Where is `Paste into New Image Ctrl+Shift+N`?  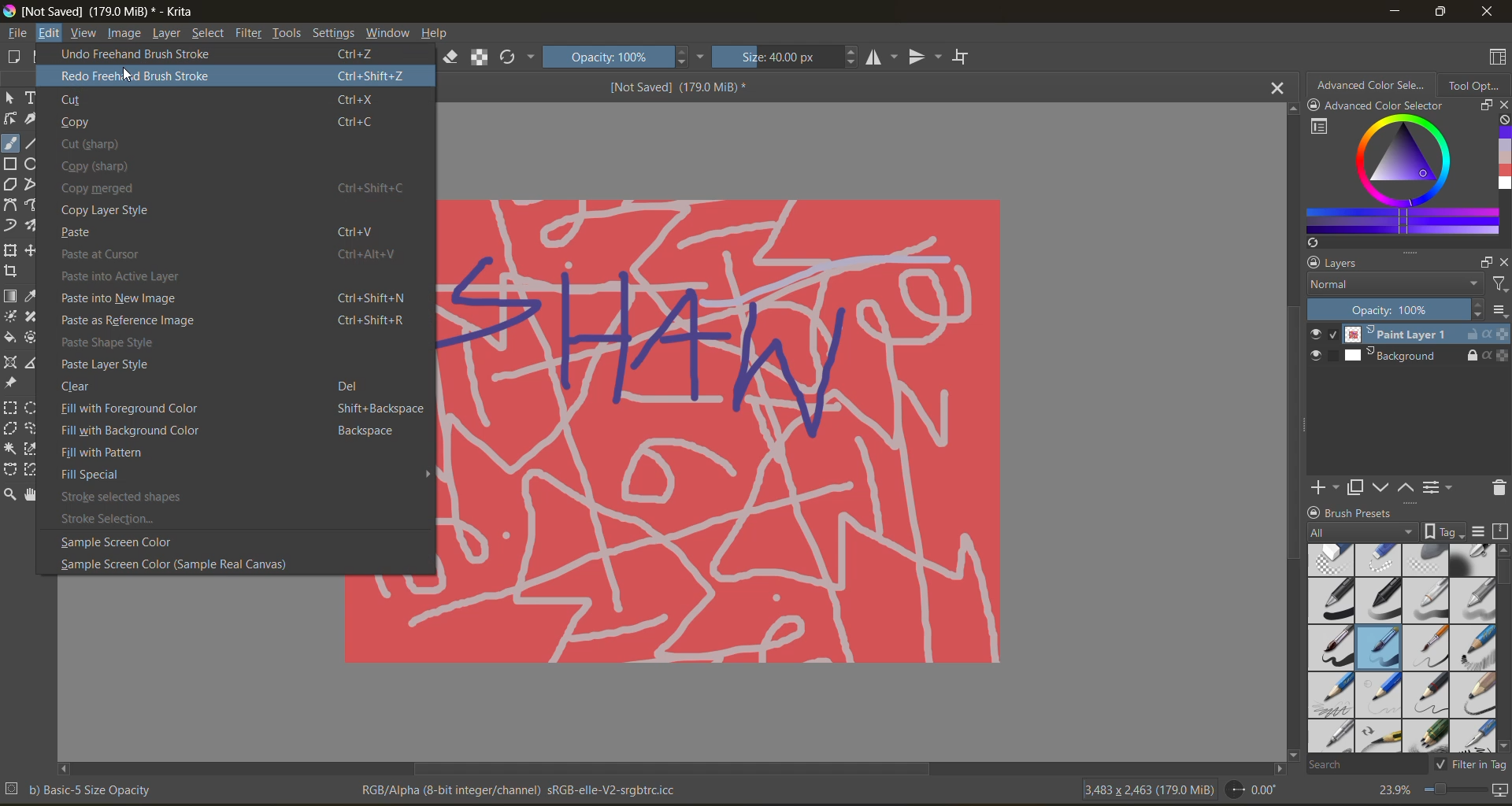 Paste into New Image Ctrl+Shift+N is located at coordinates (233, 299).